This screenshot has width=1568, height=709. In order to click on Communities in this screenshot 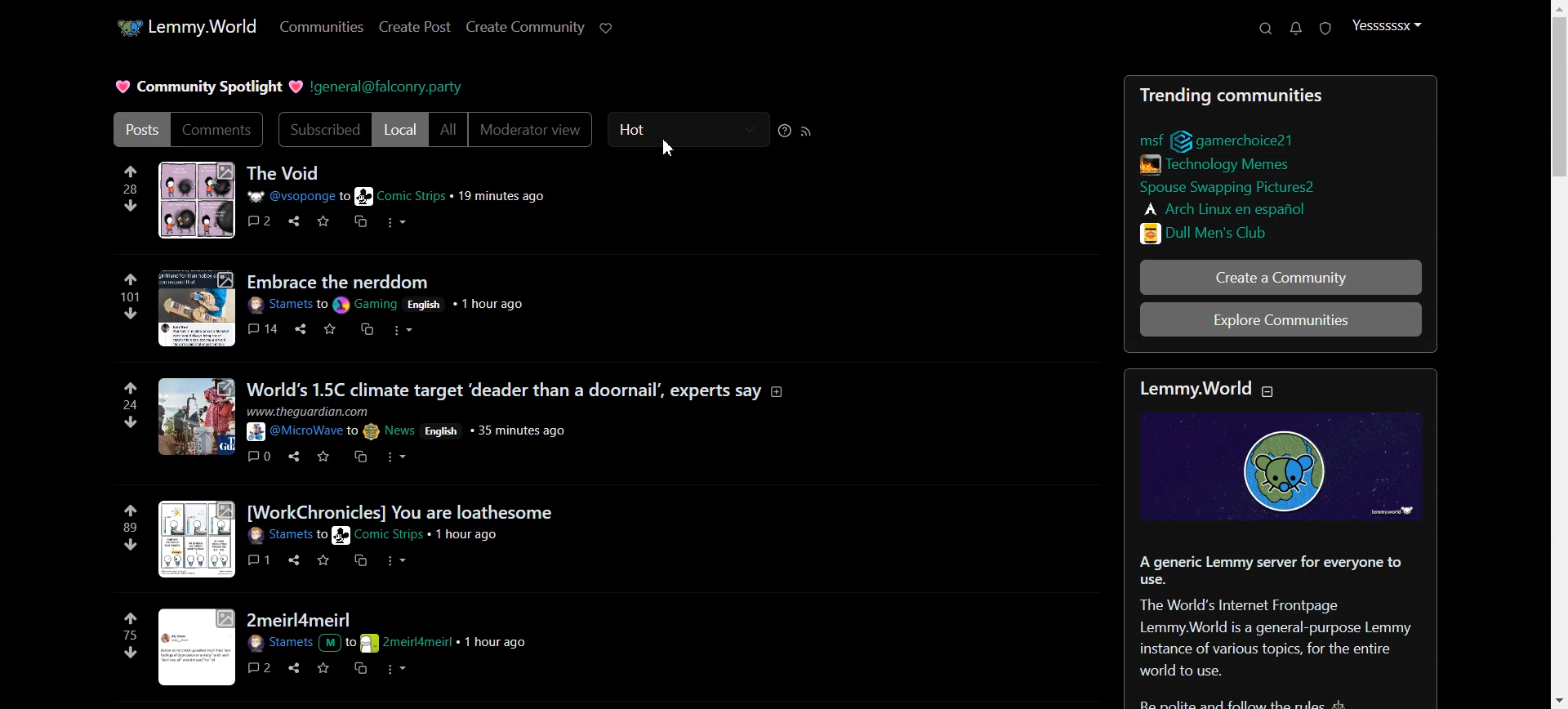, I will do `click(319, 27)`.